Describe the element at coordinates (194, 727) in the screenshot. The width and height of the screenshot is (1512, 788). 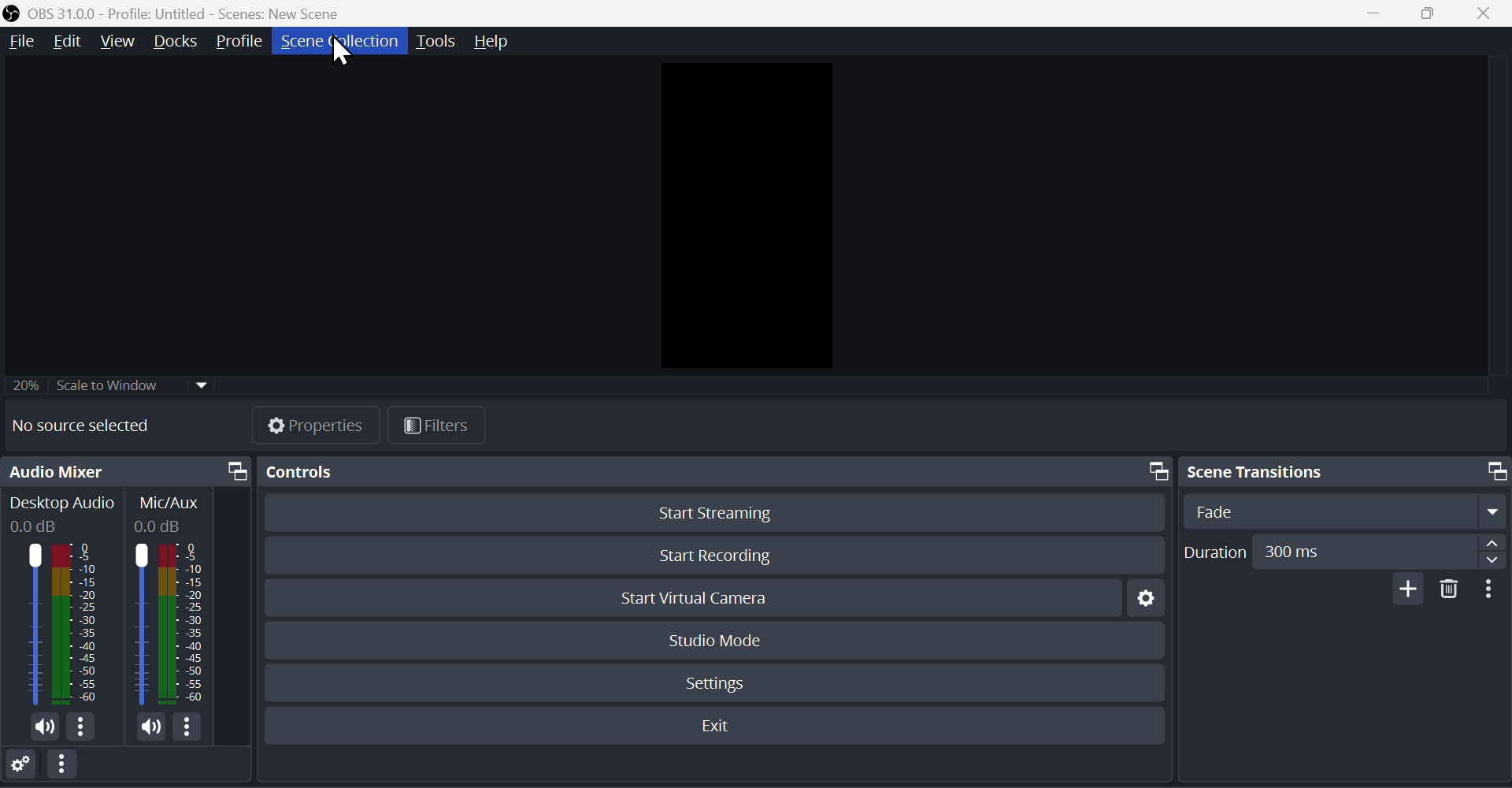
I see `more options` at that location.